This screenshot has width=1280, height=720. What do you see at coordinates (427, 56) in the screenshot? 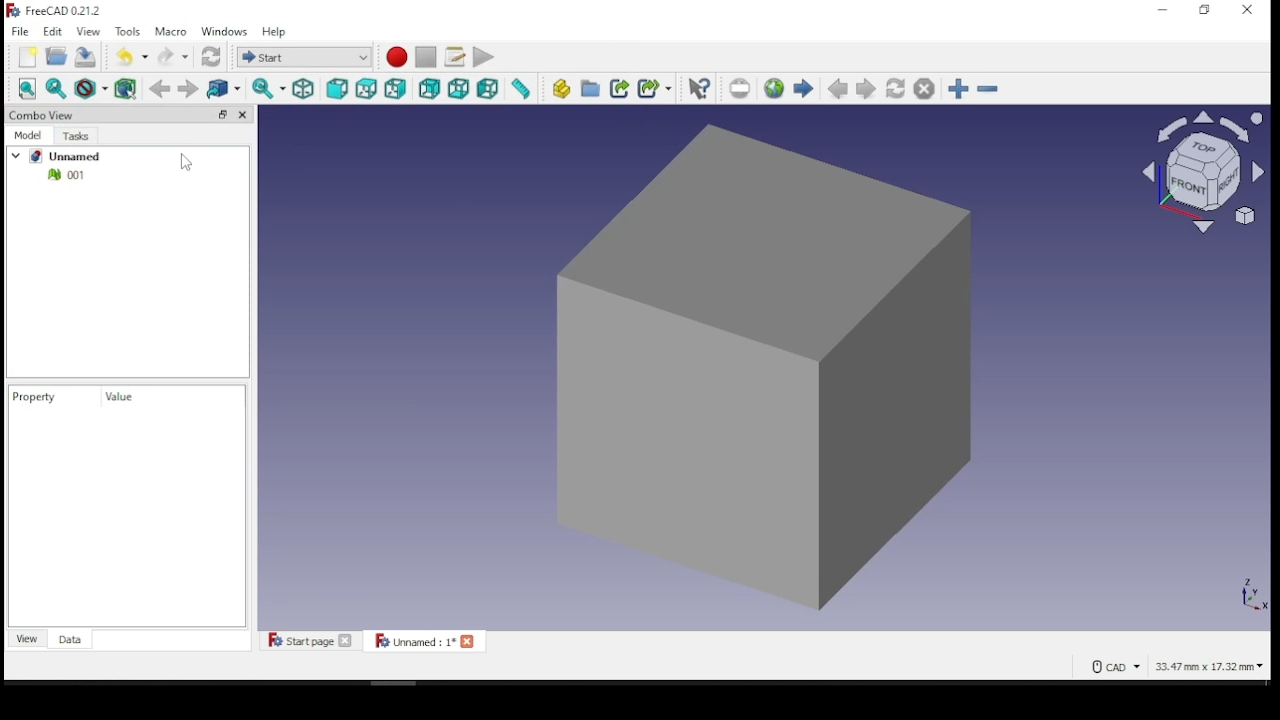
I see `stop macro recording` at bounding box center [427, 56].